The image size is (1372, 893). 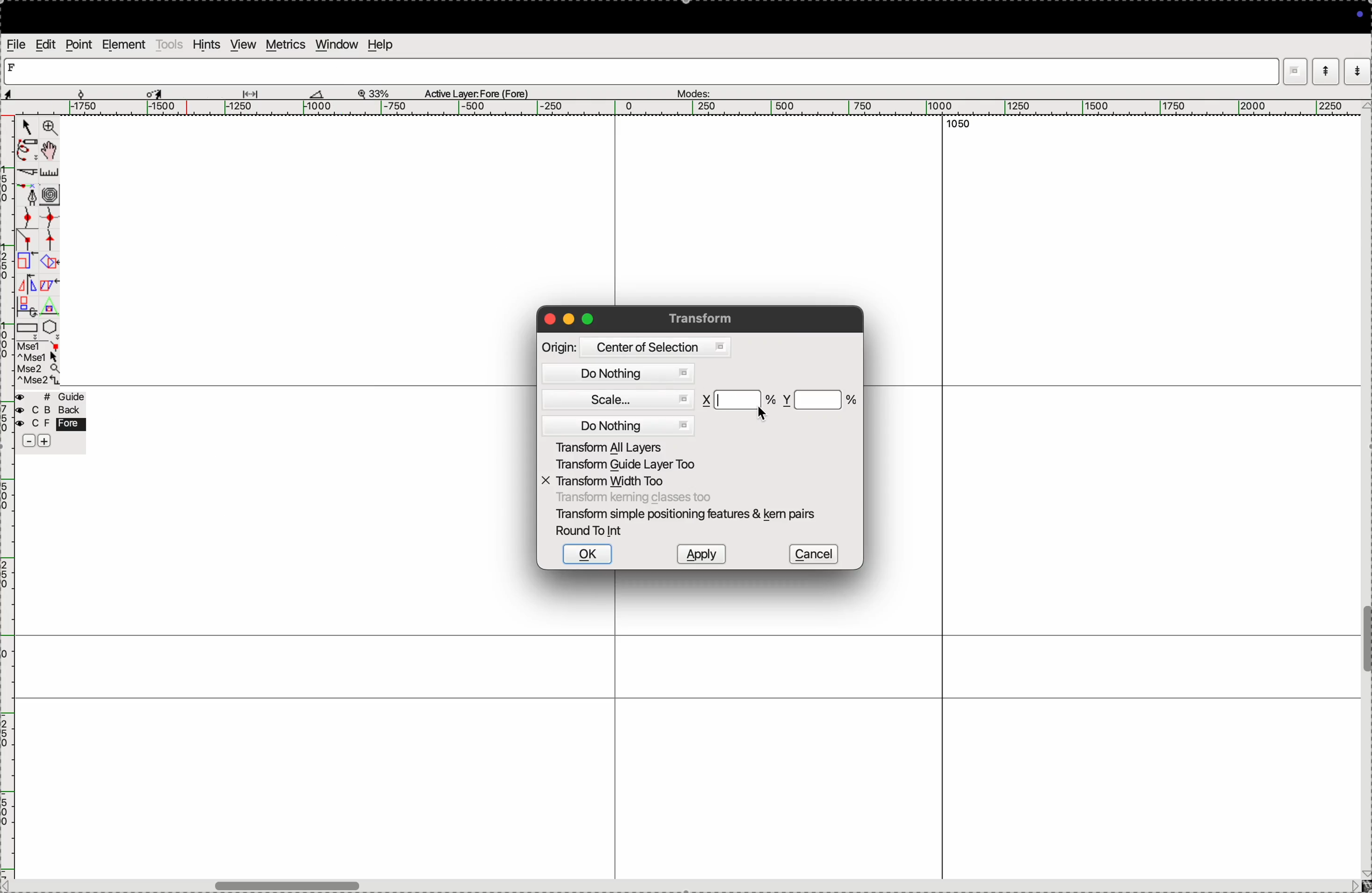 I want to click on round to int, so click(x=593, y=532).